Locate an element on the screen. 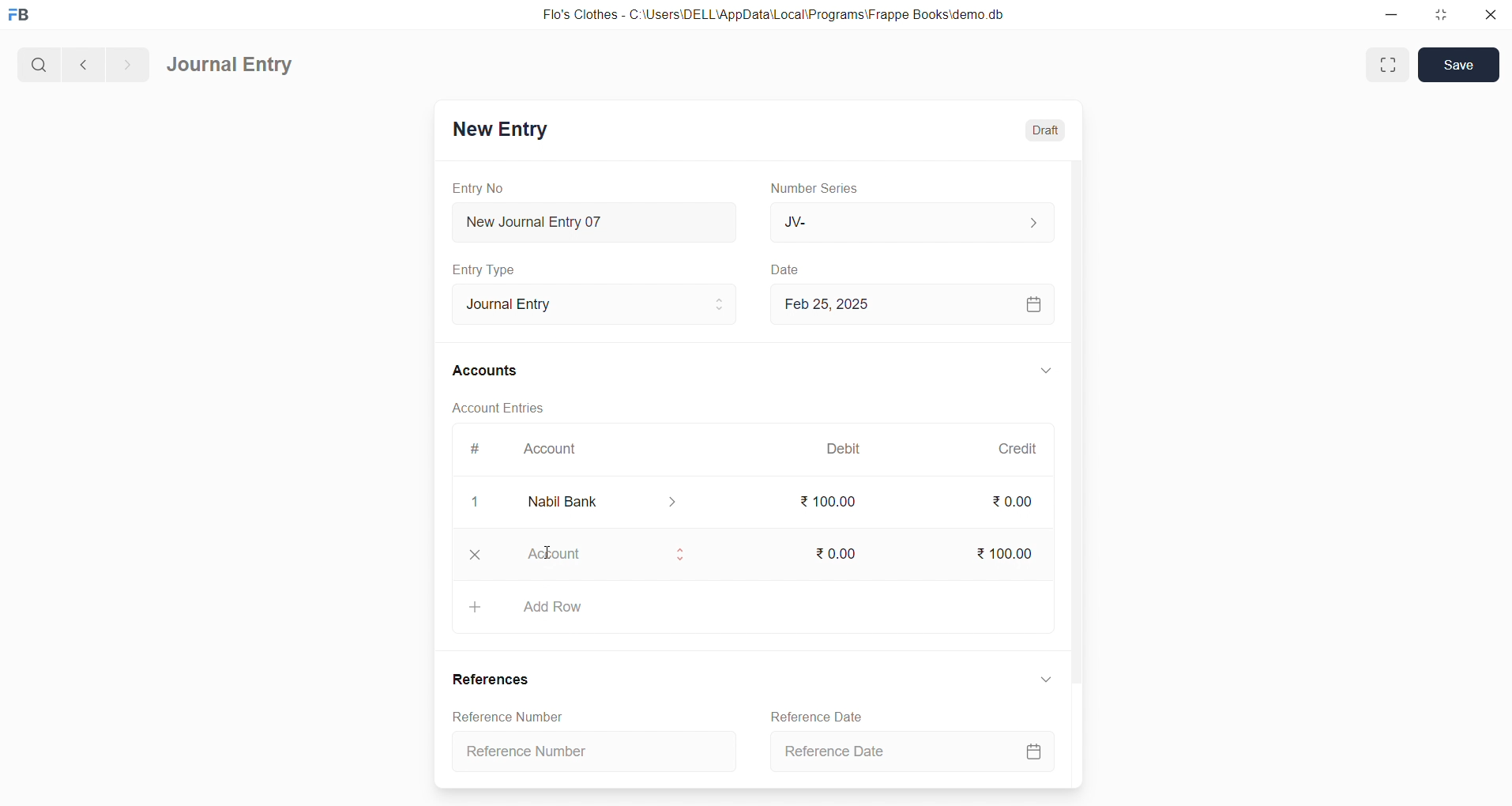  logo is located at coordinates (23, 16).